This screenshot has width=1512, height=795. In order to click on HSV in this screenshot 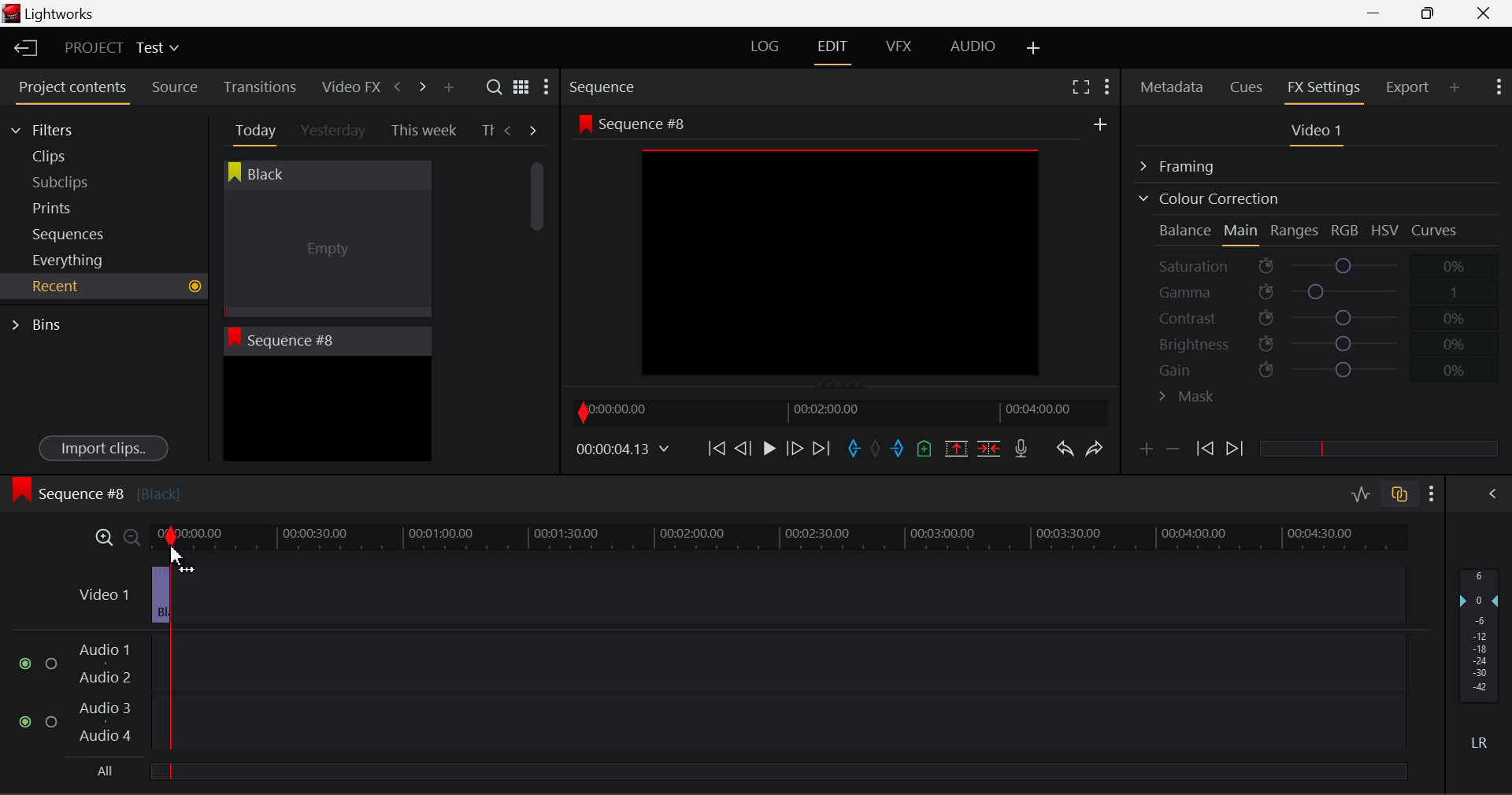, I will do `click(1385, 230)`.